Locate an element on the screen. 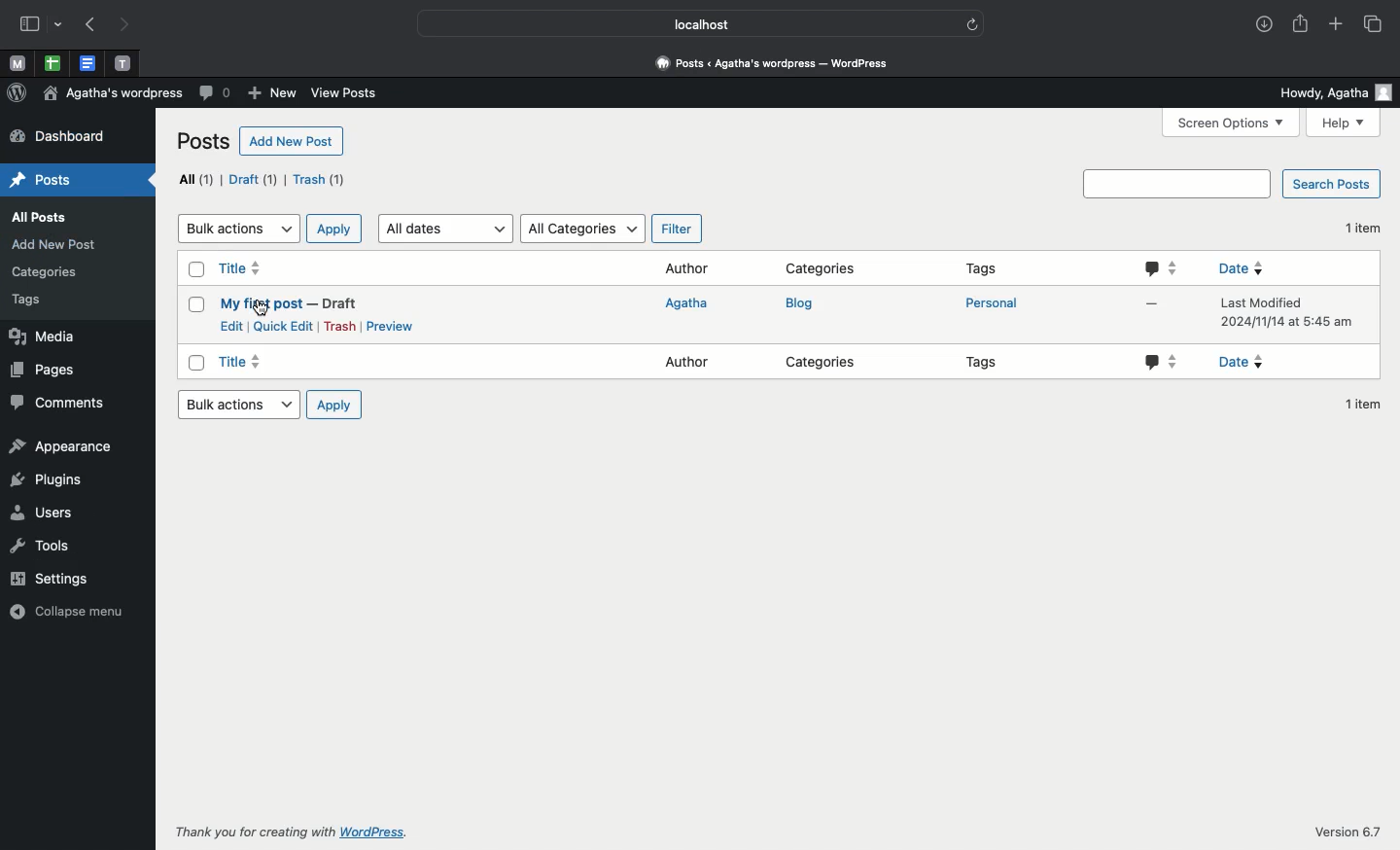  Settings is located at coordinates (48, 580).